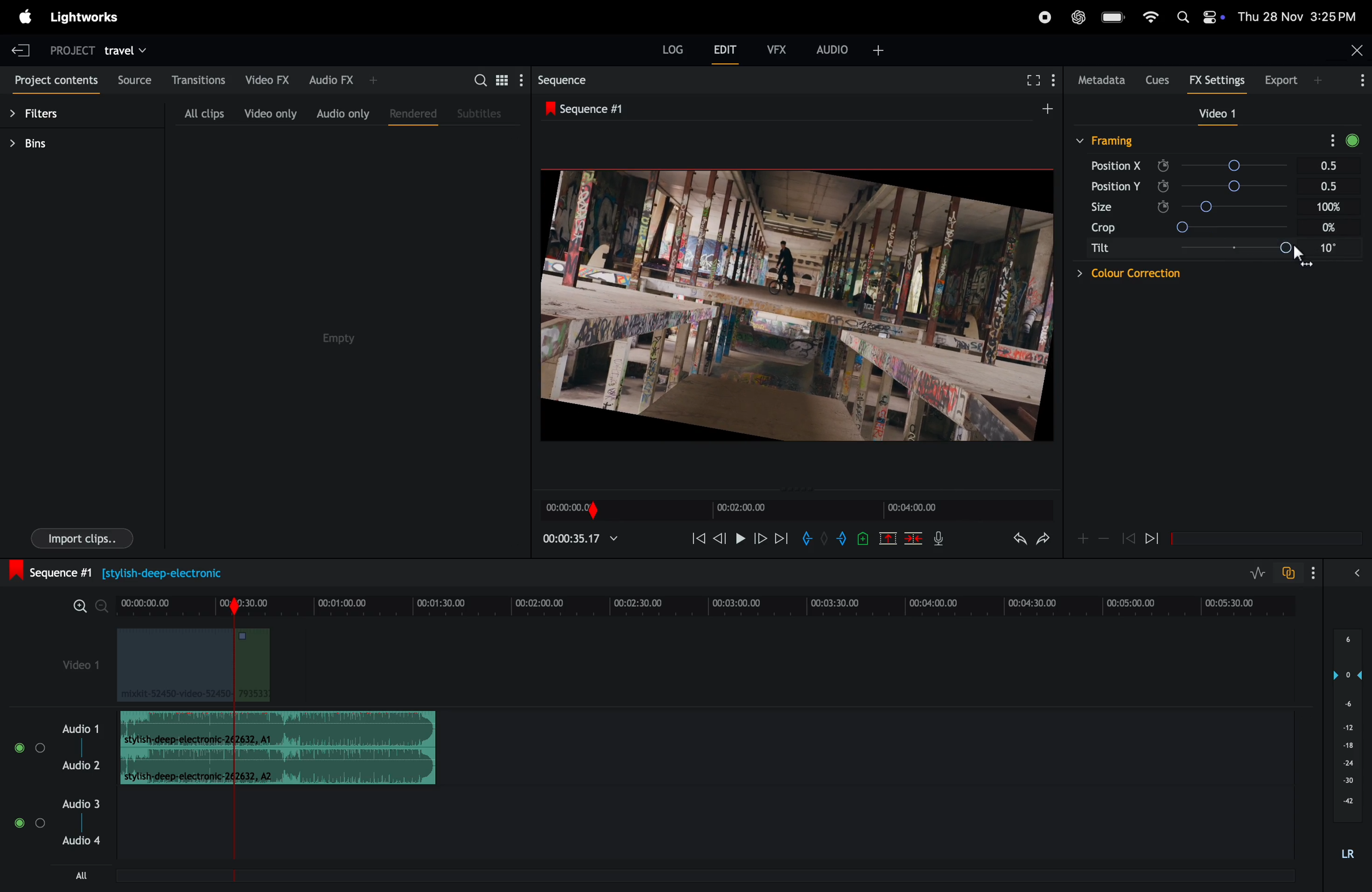 This screenshot has height=892, width=1372. I want to click on Jump to previous keyframe, so click(1129, 537).